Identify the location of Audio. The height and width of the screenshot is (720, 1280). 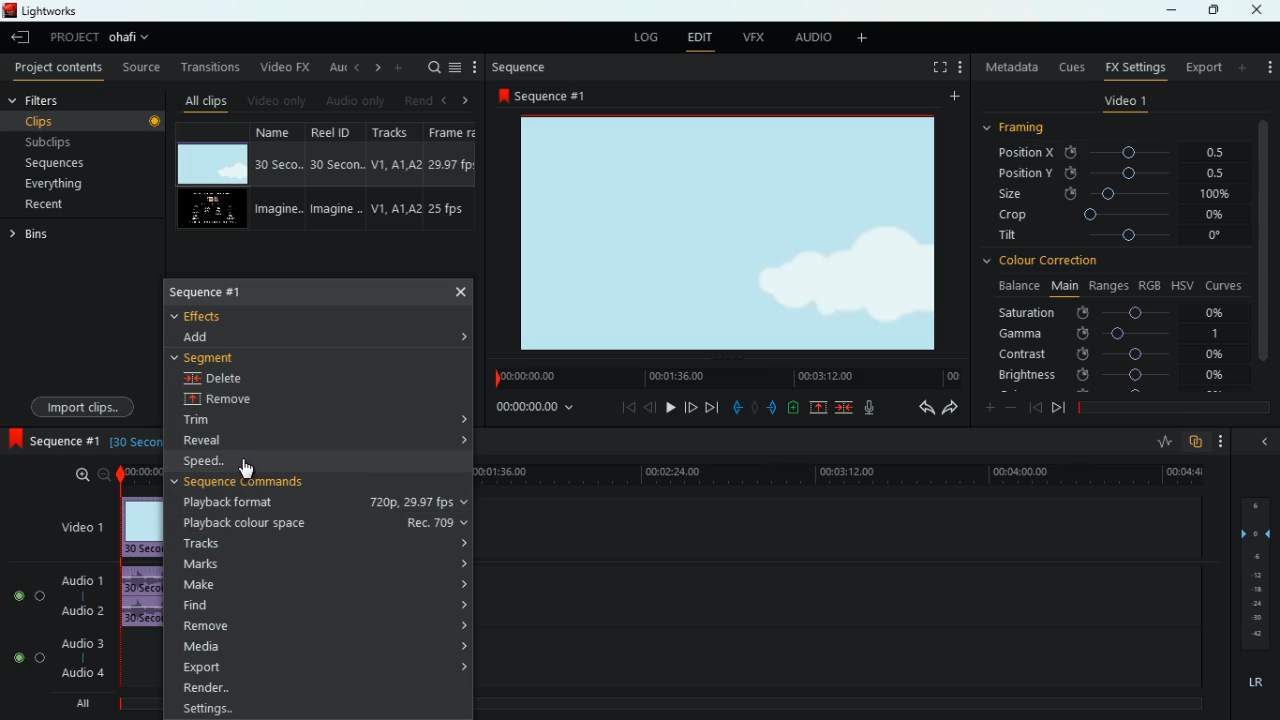
(28, 658).